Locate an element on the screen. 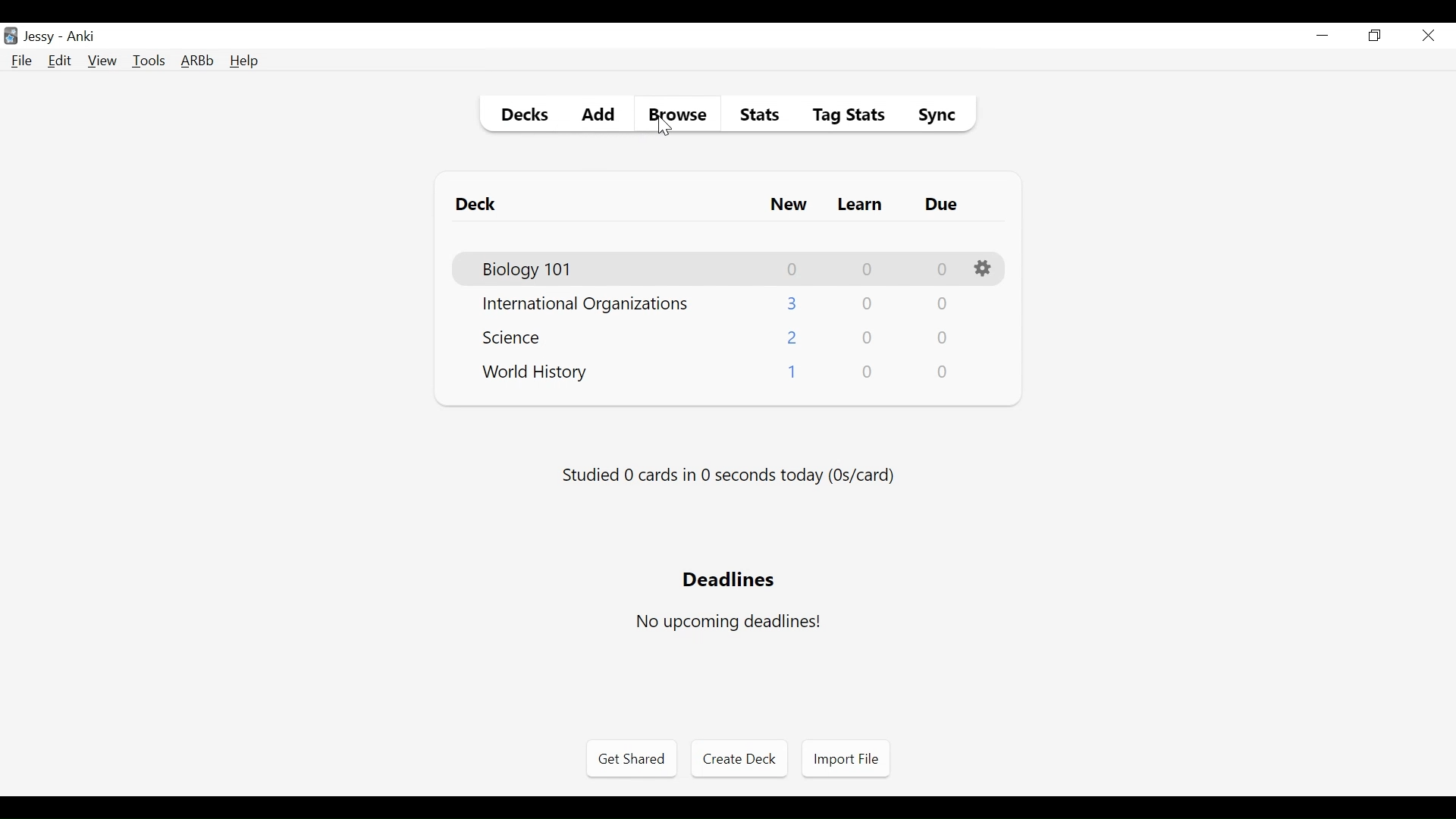 Image resolution: width=1456 pixels, height=819 pixels. Deck Name is located at coordinates (535, 373).